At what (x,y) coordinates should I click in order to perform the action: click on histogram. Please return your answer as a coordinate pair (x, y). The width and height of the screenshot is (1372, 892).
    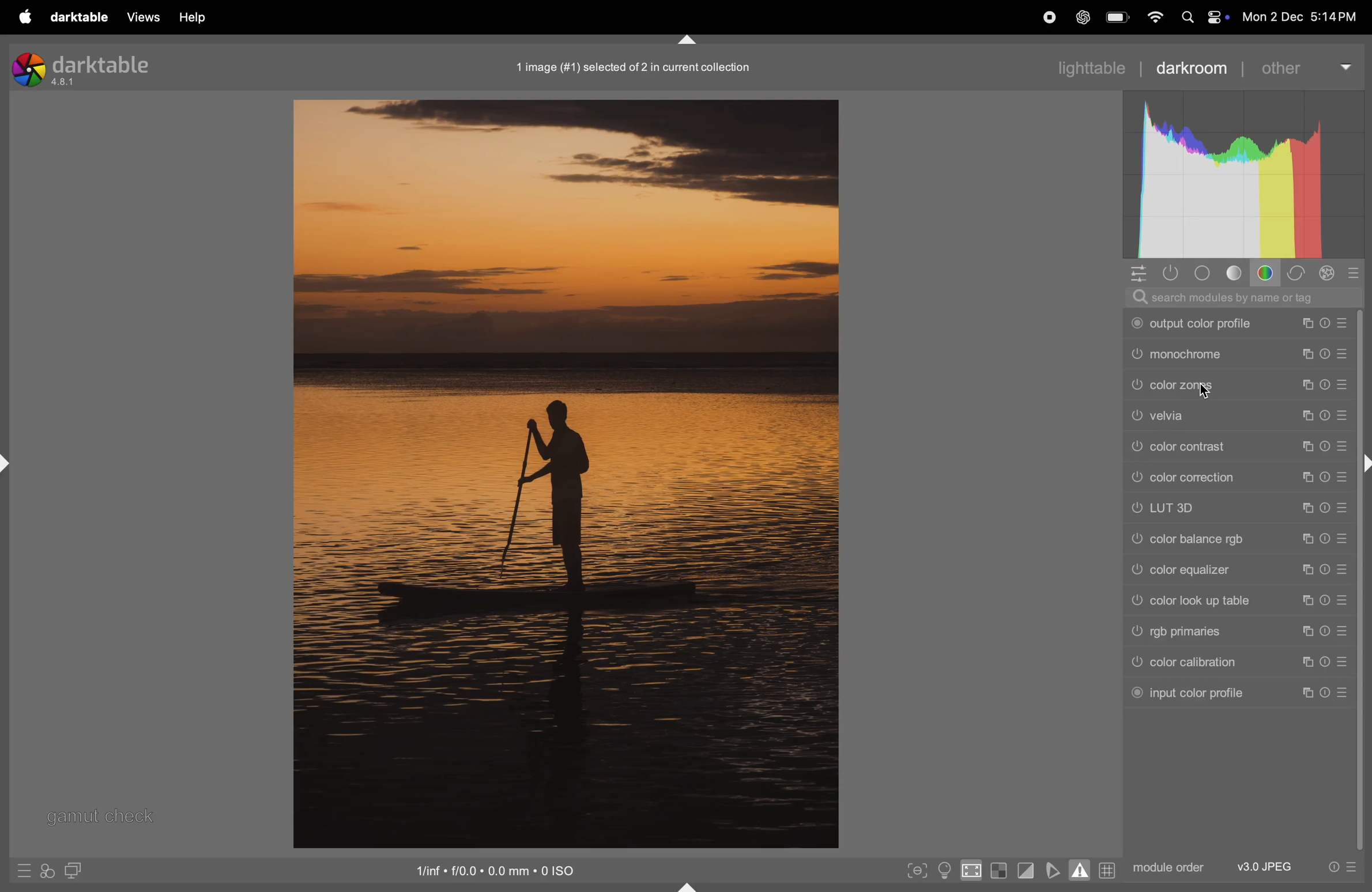
    Looking at the image, I should click on (1242, 174).